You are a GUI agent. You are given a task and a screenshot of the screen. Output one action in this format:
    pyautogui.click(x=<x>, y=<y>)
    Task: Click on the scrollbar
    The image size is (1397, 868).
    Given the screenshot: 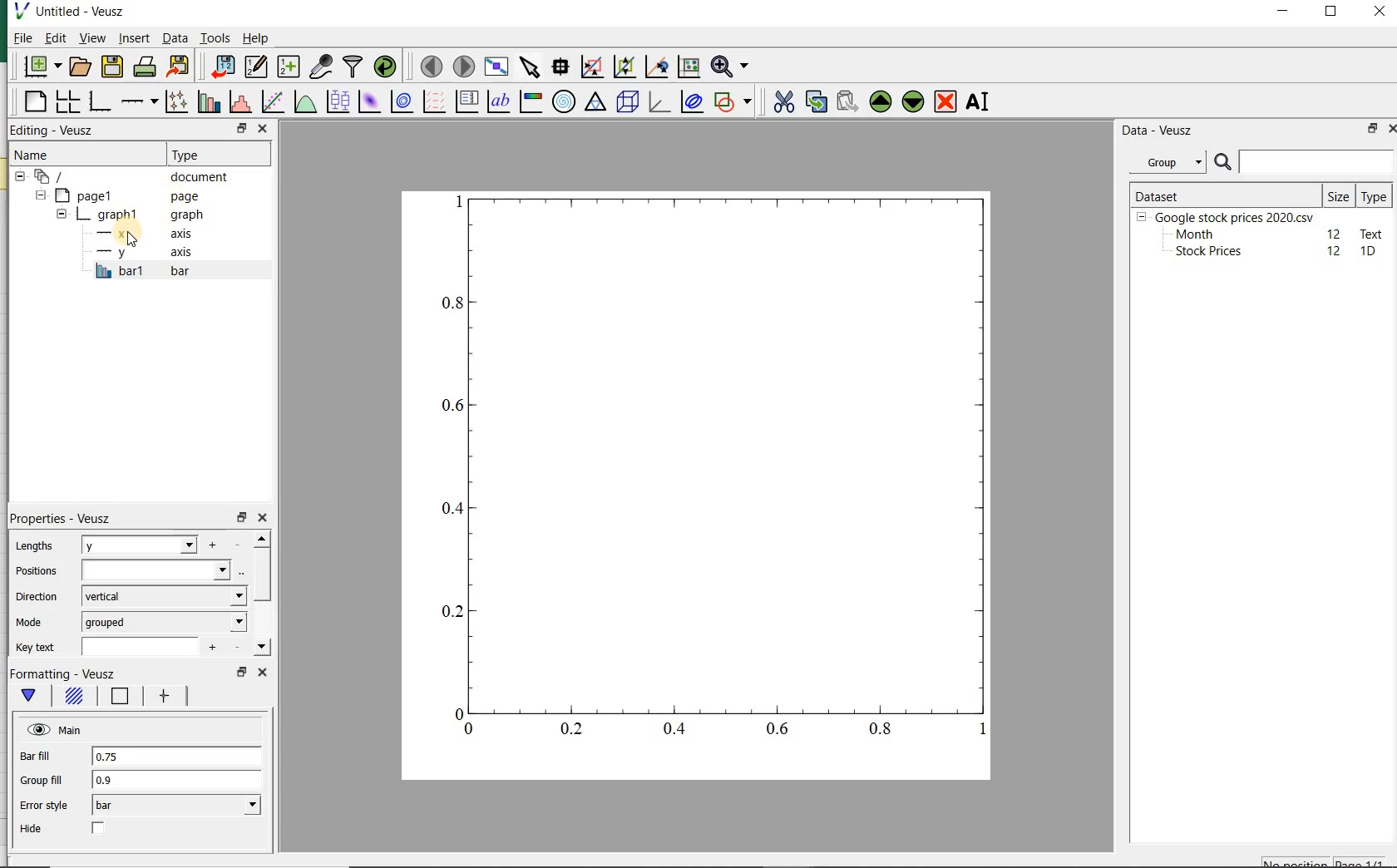 What is the action you would take?
    pyautogui.click(x=262, y=594)
    